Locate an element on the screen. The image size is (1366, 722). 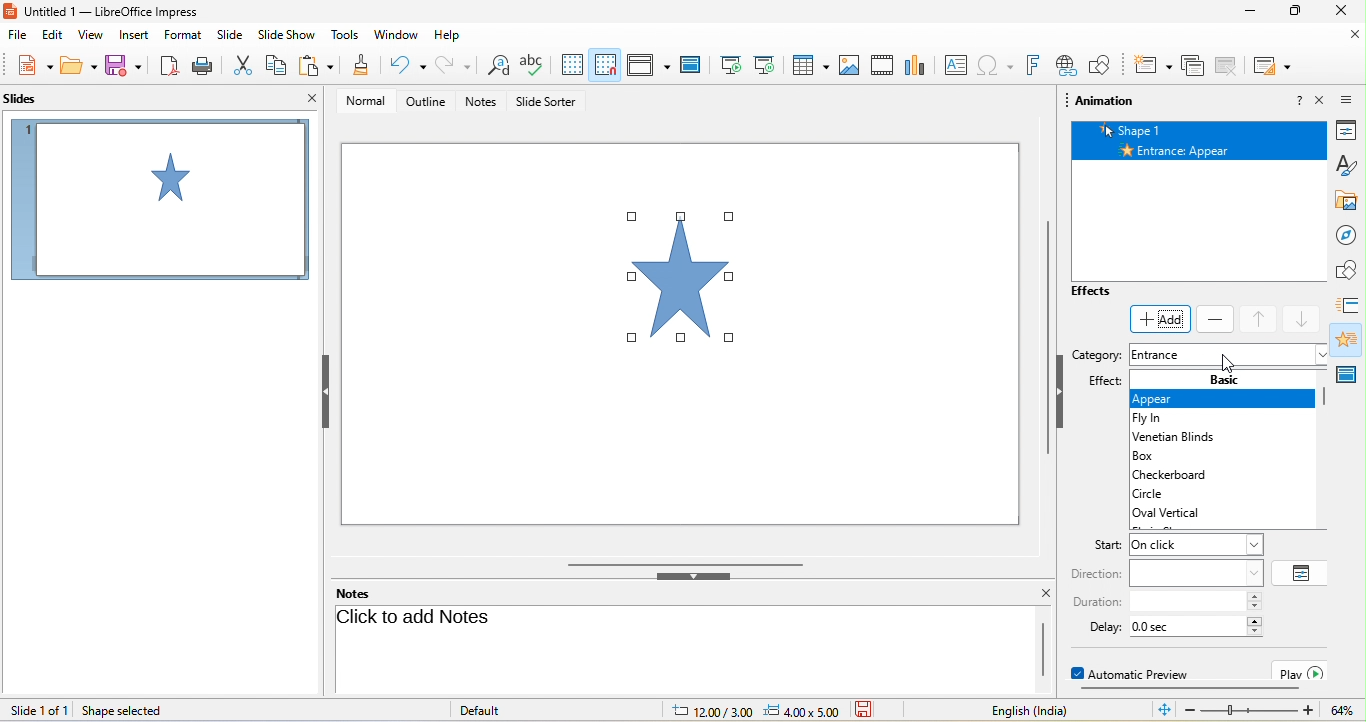
clone formatting is located at coordinates (360, 64).